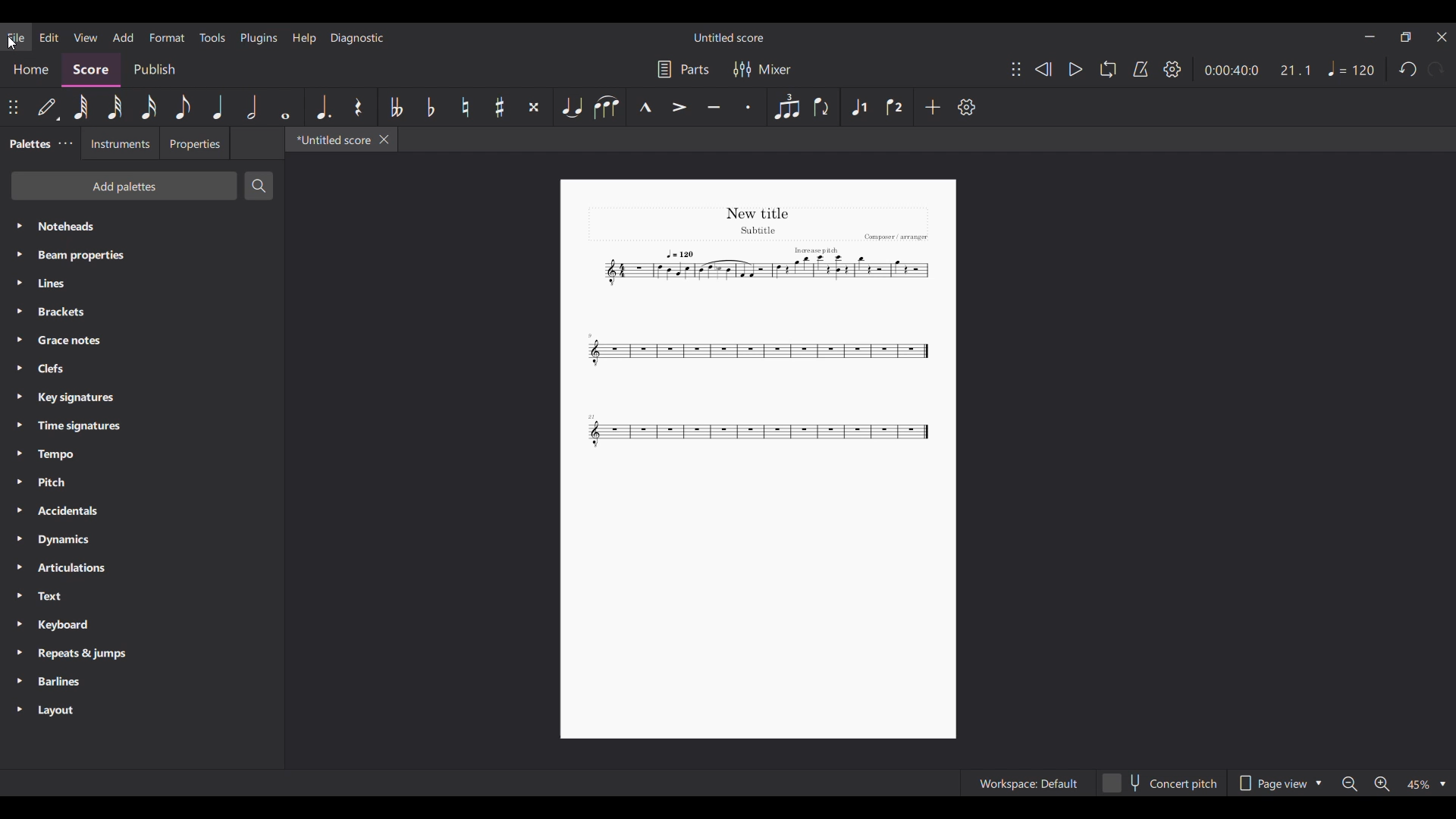  What do you see at coordinates (762, 69) in the screenshot?
I see `Mixer settings` at bounding box center [762, 69].